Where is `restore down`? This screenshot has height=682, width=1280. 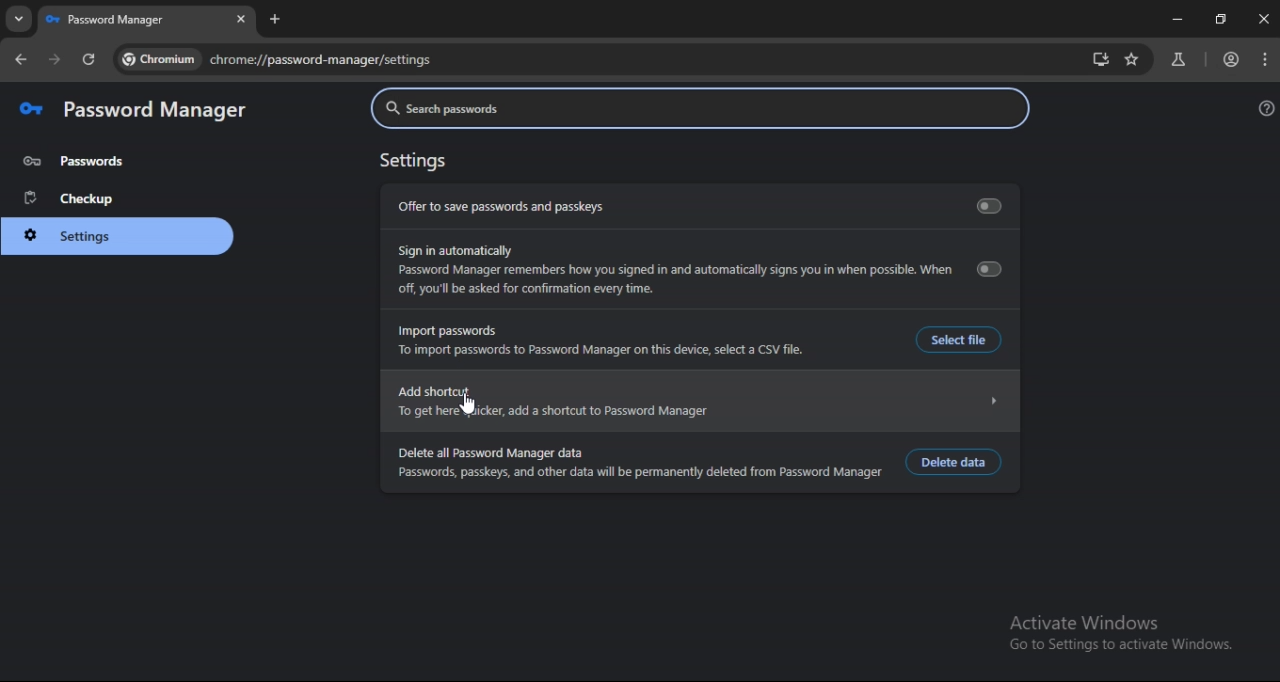
restore down is located at coordinates (1218, 19).